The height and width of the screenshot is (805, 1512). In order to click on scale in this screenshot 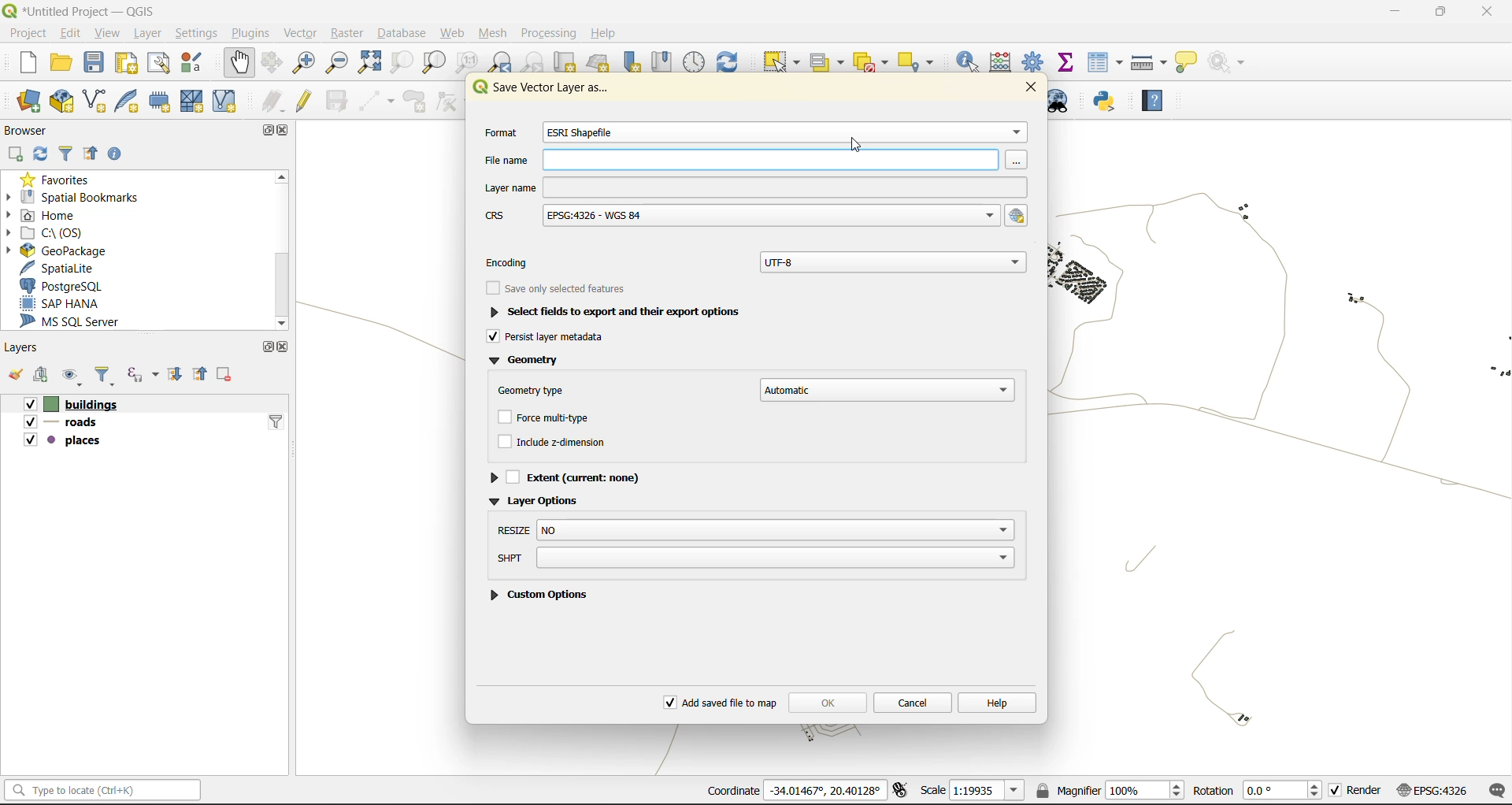, I will do `click(973, 791)`.